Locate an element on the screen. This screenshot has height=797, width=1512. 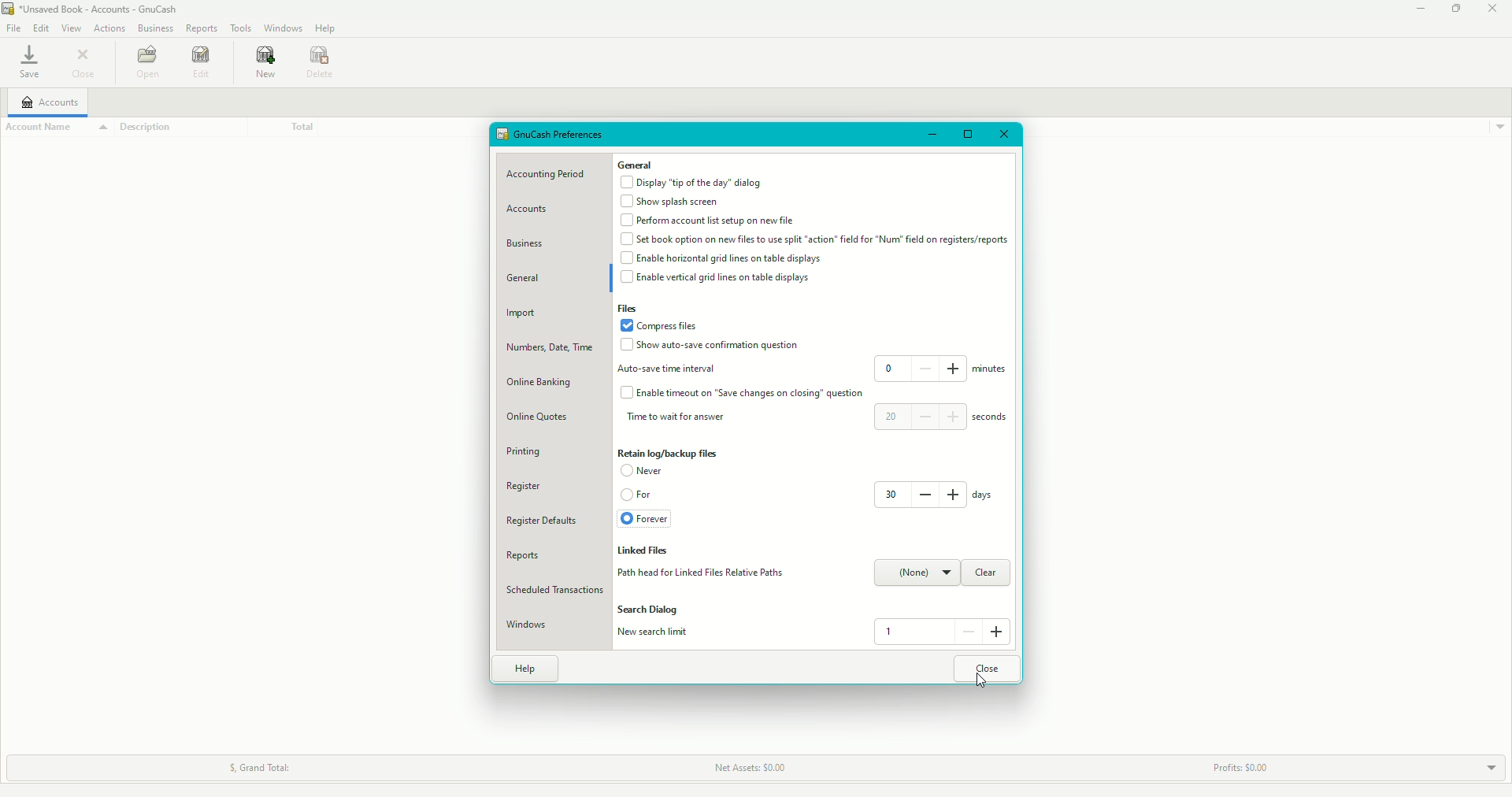
Preferences is located at coordinates (552, 135).